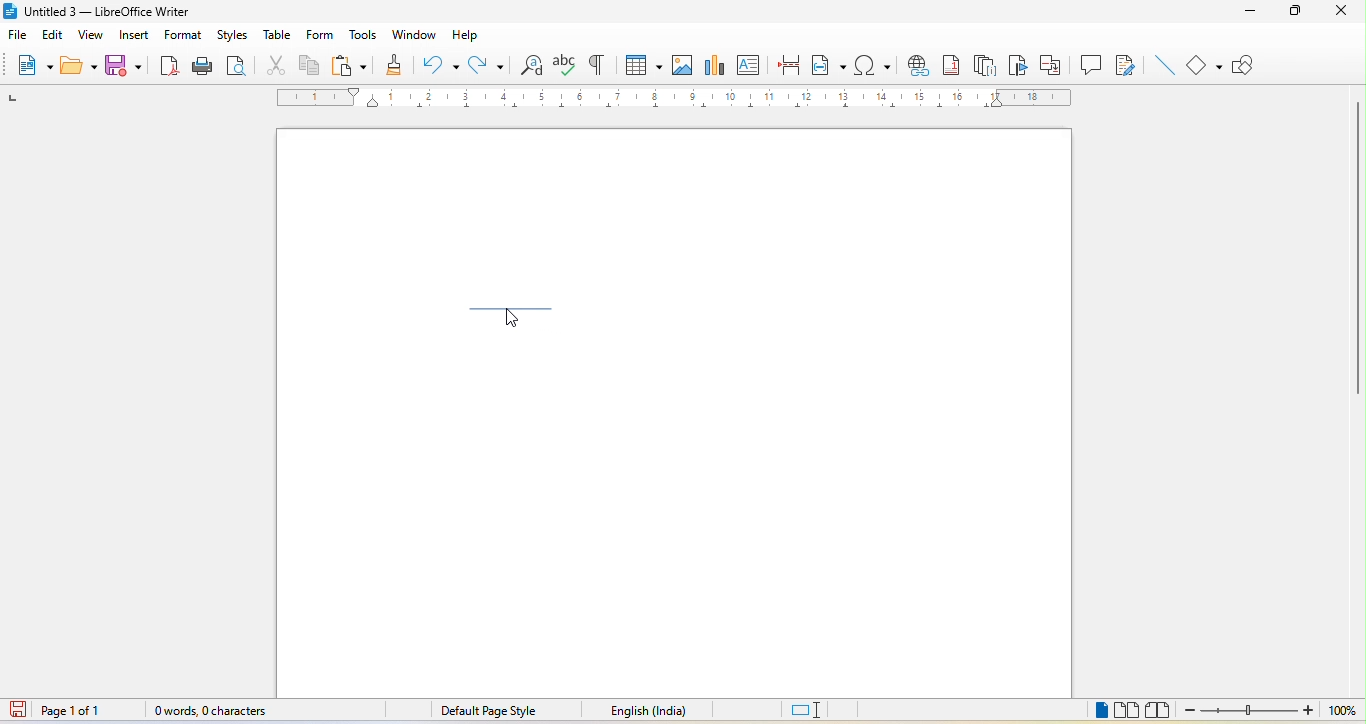 This screenshot has height=724, width=1366. I want to click on new, so click(32, 63).